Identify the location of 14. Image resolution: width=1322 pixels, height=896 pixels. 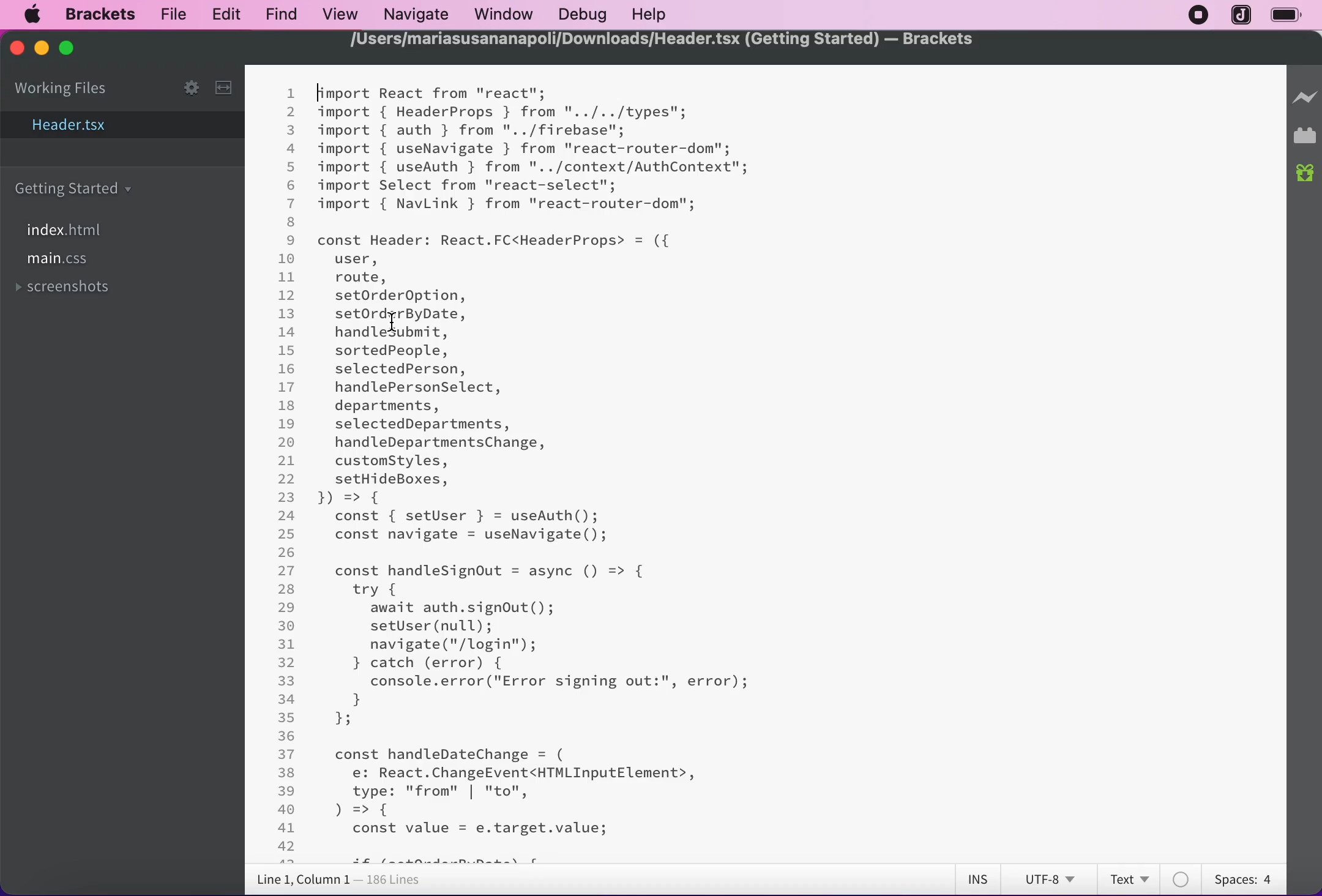
(288, 332).